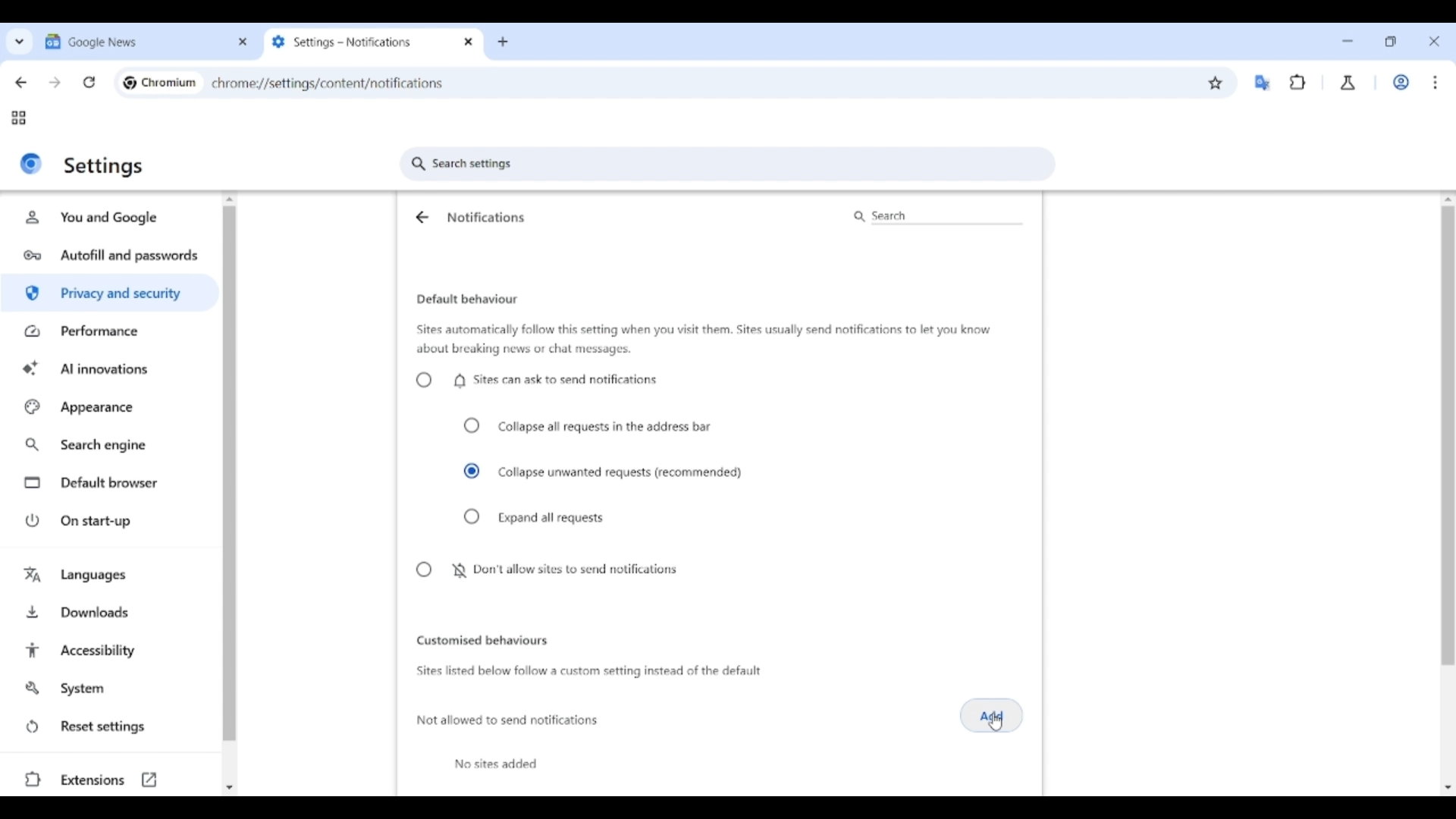 The height and width of the screenshot is (819, 1456). Describe the element at coordinates (1298, 82) in the screenshot. I see `Browser extensions` at that location.